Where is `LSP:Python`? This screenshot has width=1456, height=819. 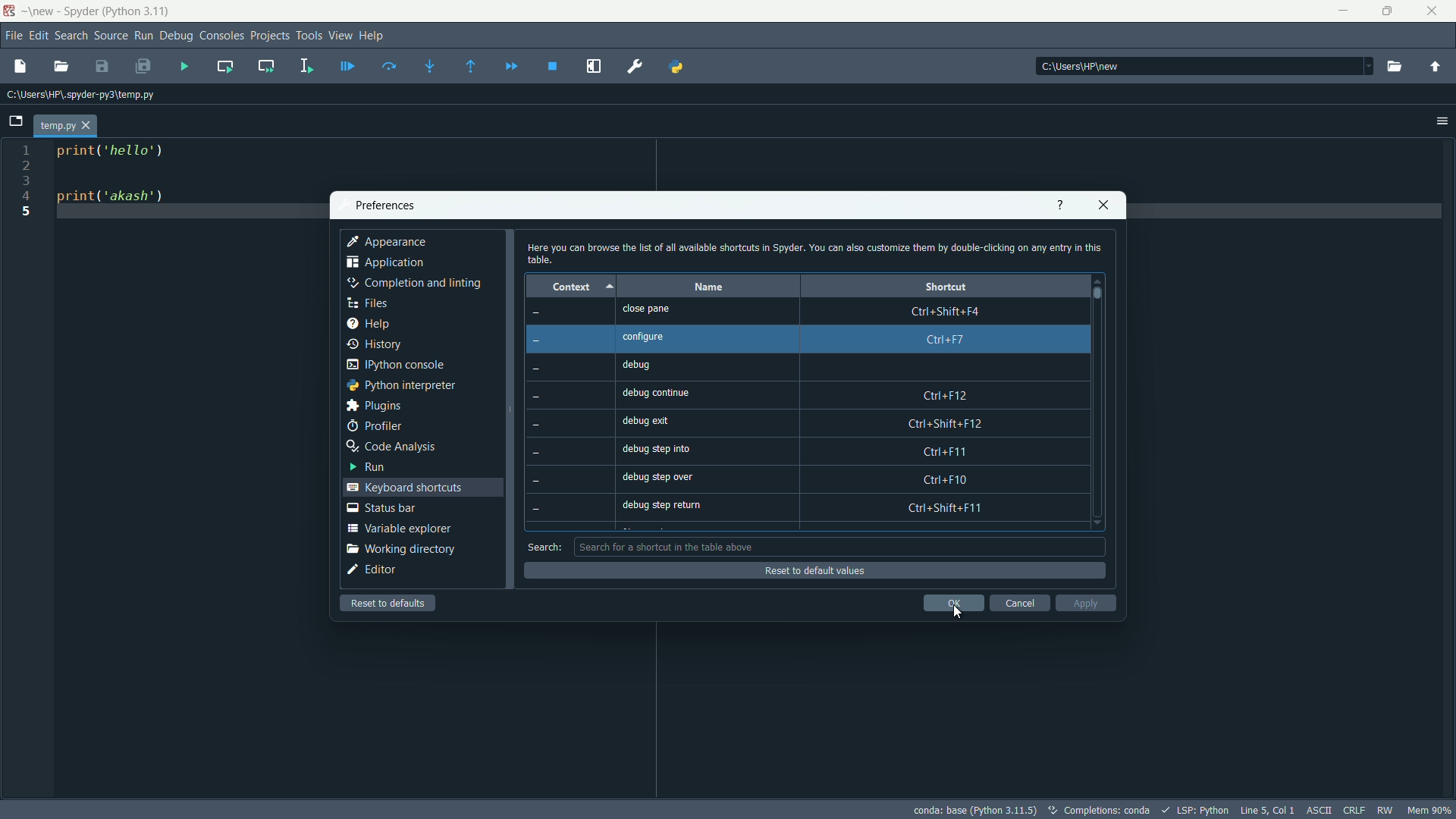 LSP:Python is located at coordinates (1202, 811).